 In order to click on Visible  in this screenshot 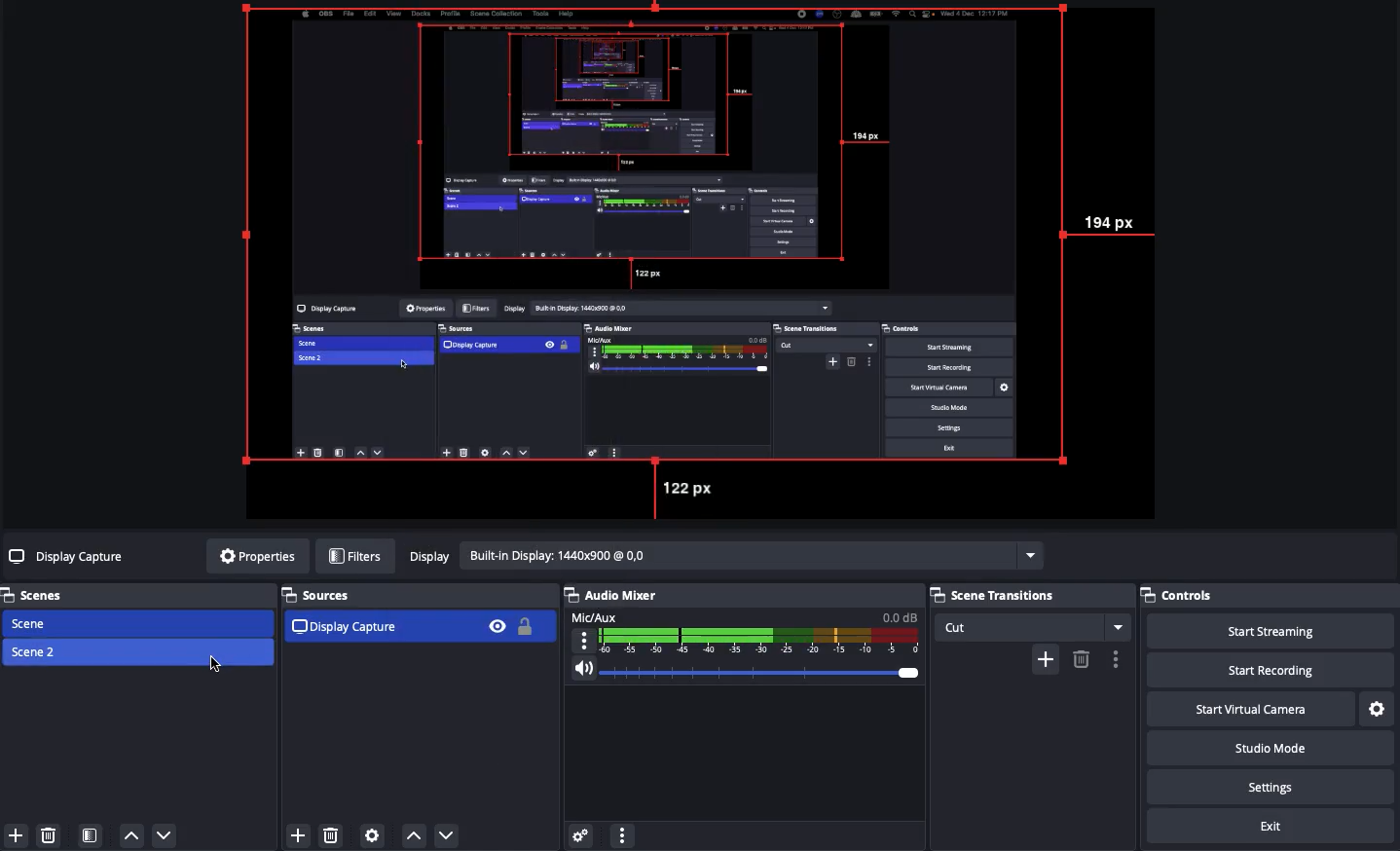, I will do `click(499, 625)`.